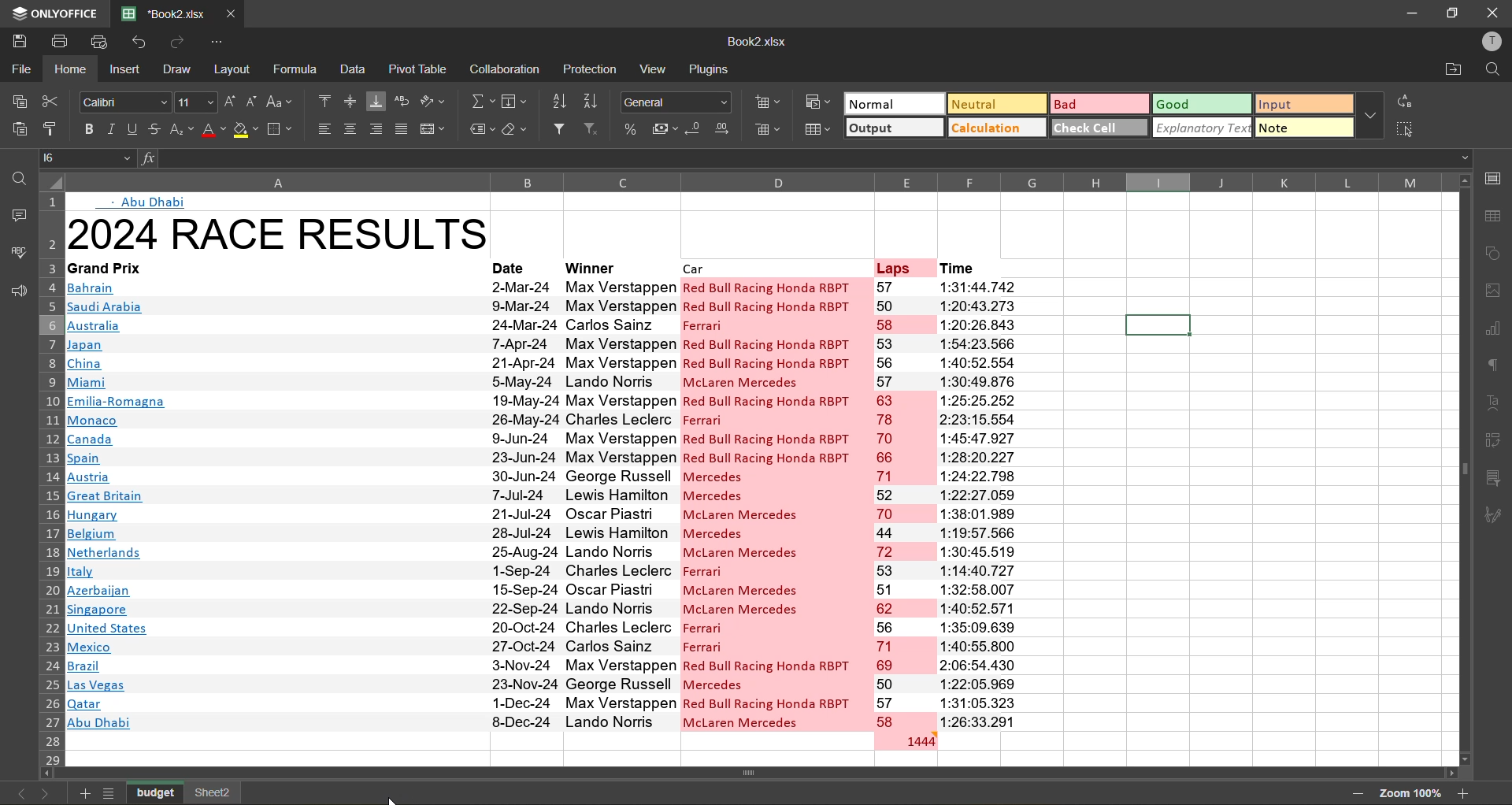  What do you see at coordinates (775, 503) in the screenshot?
I see `car name` at bounding box center [775, 503].